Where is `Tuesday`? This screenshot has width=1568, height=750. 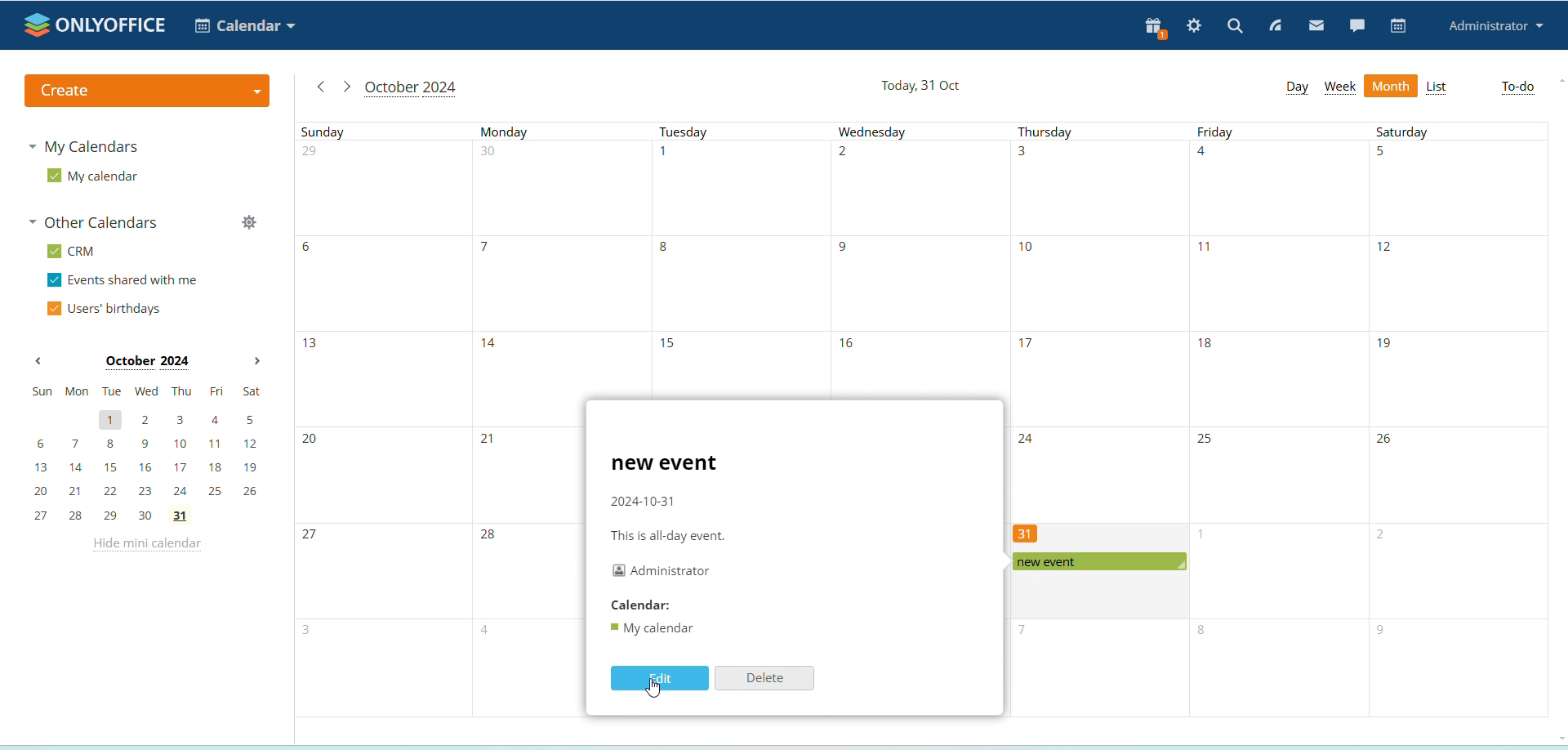 Tuesday is located at coordinates (738, 257).